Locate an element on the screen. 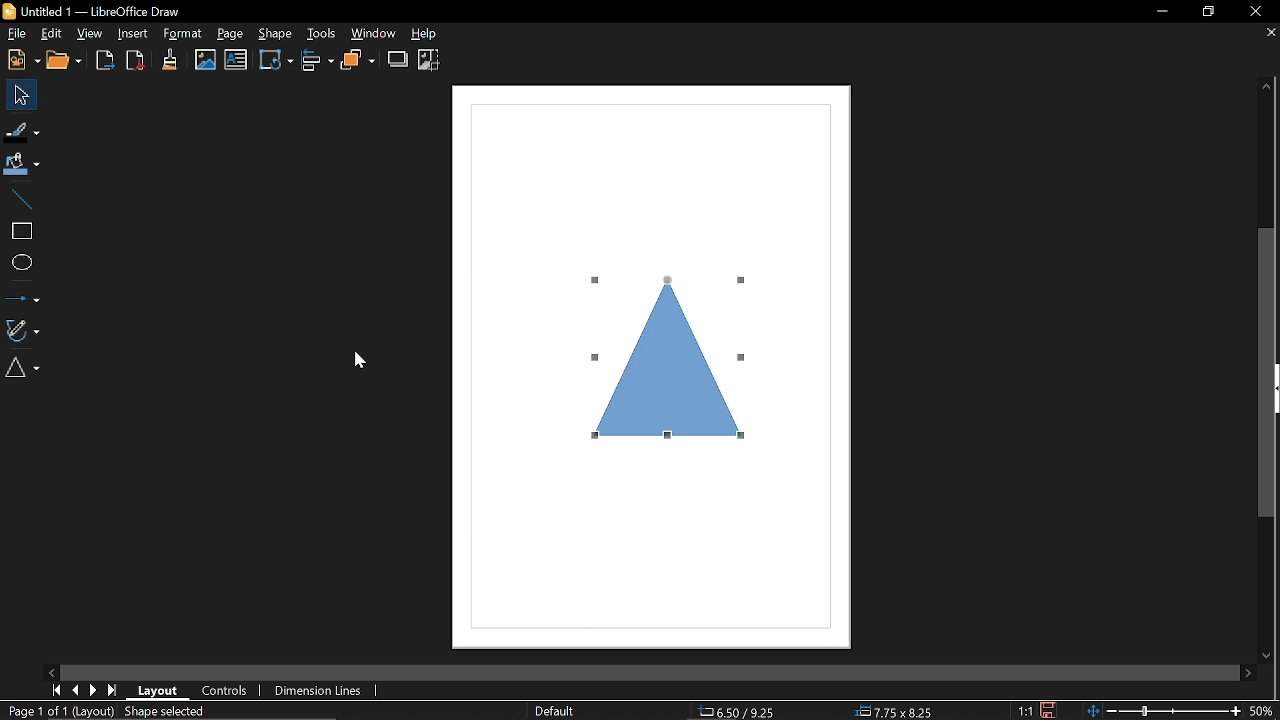 This screenshot has height=720, width=1280. Arrange is located at coordinates (358, 60).